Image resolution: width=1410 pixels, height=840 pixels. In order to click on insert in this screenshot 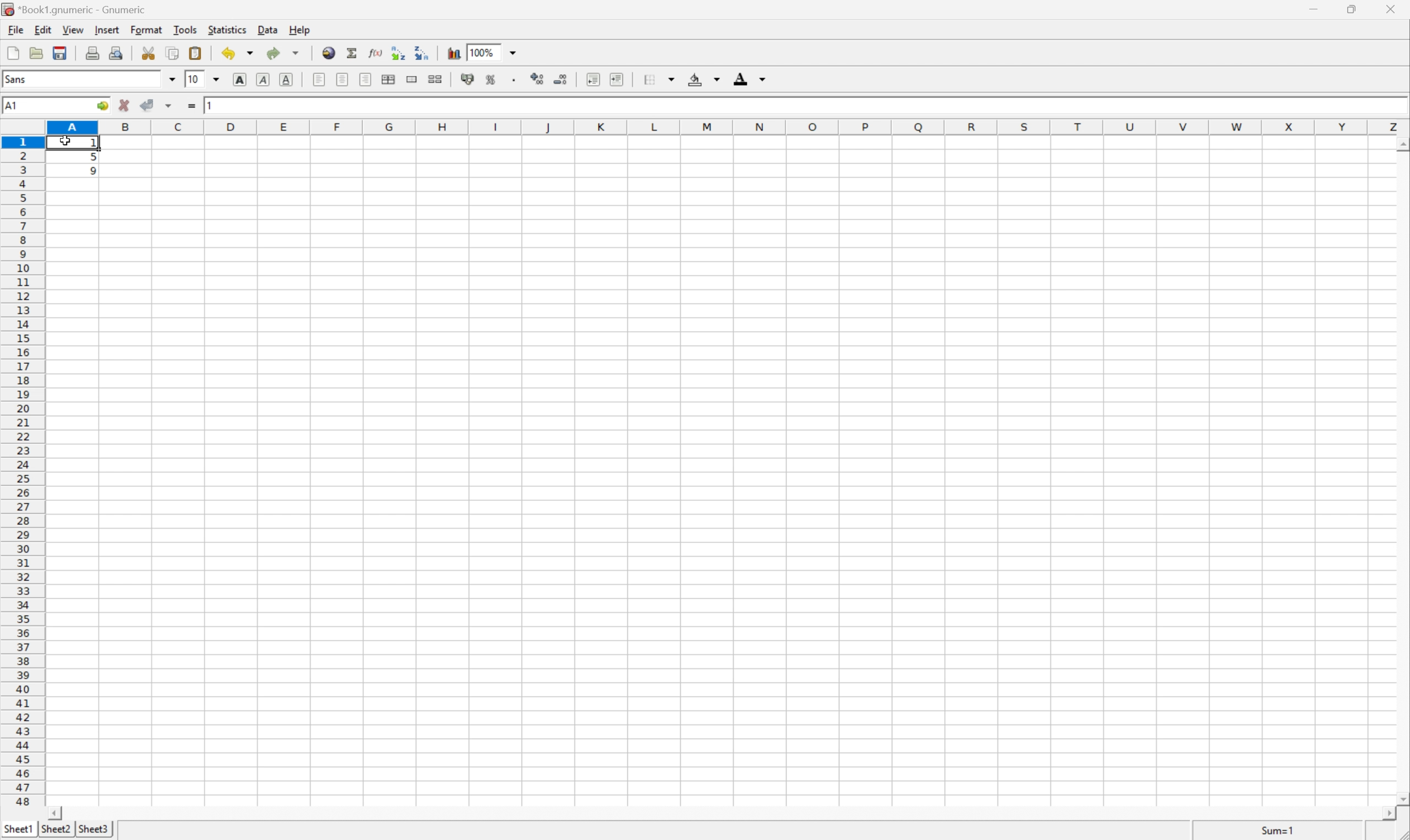, I will do `click(106, 28)`.